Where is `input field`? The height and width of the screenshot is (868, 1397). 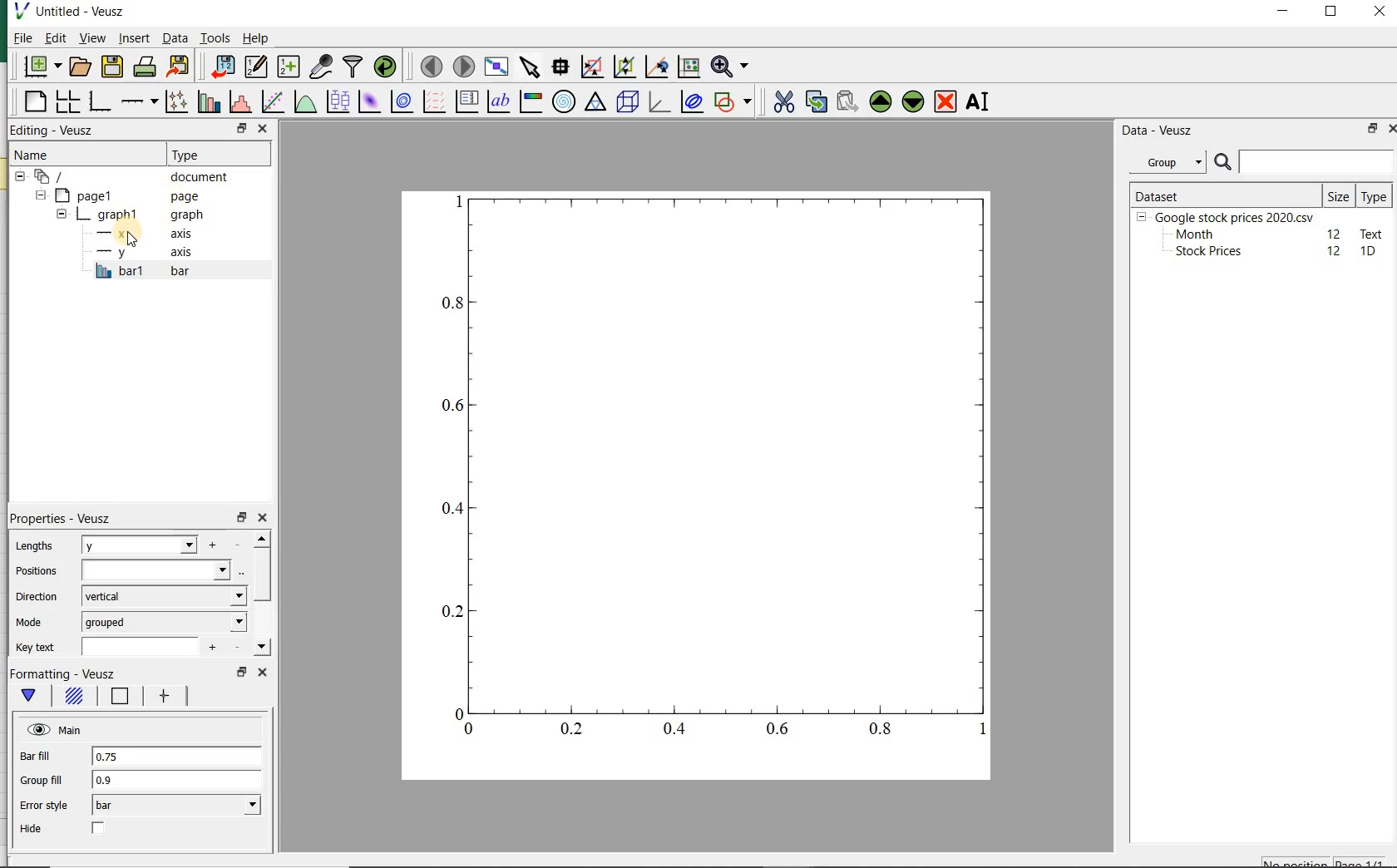 input field is located at coordinates (141, 648).